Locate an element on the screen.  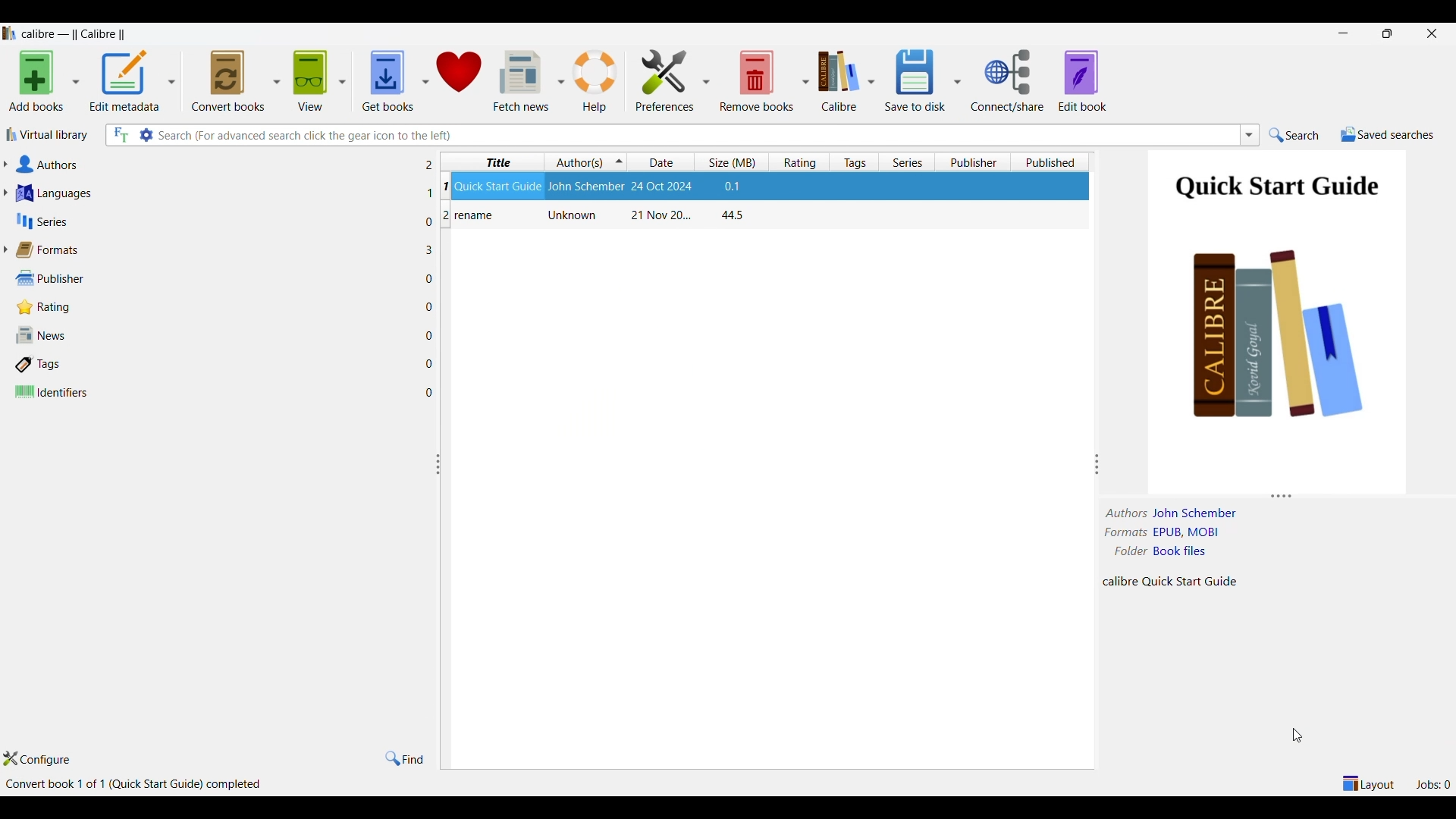
Tags is located at coordinates (217, 365).